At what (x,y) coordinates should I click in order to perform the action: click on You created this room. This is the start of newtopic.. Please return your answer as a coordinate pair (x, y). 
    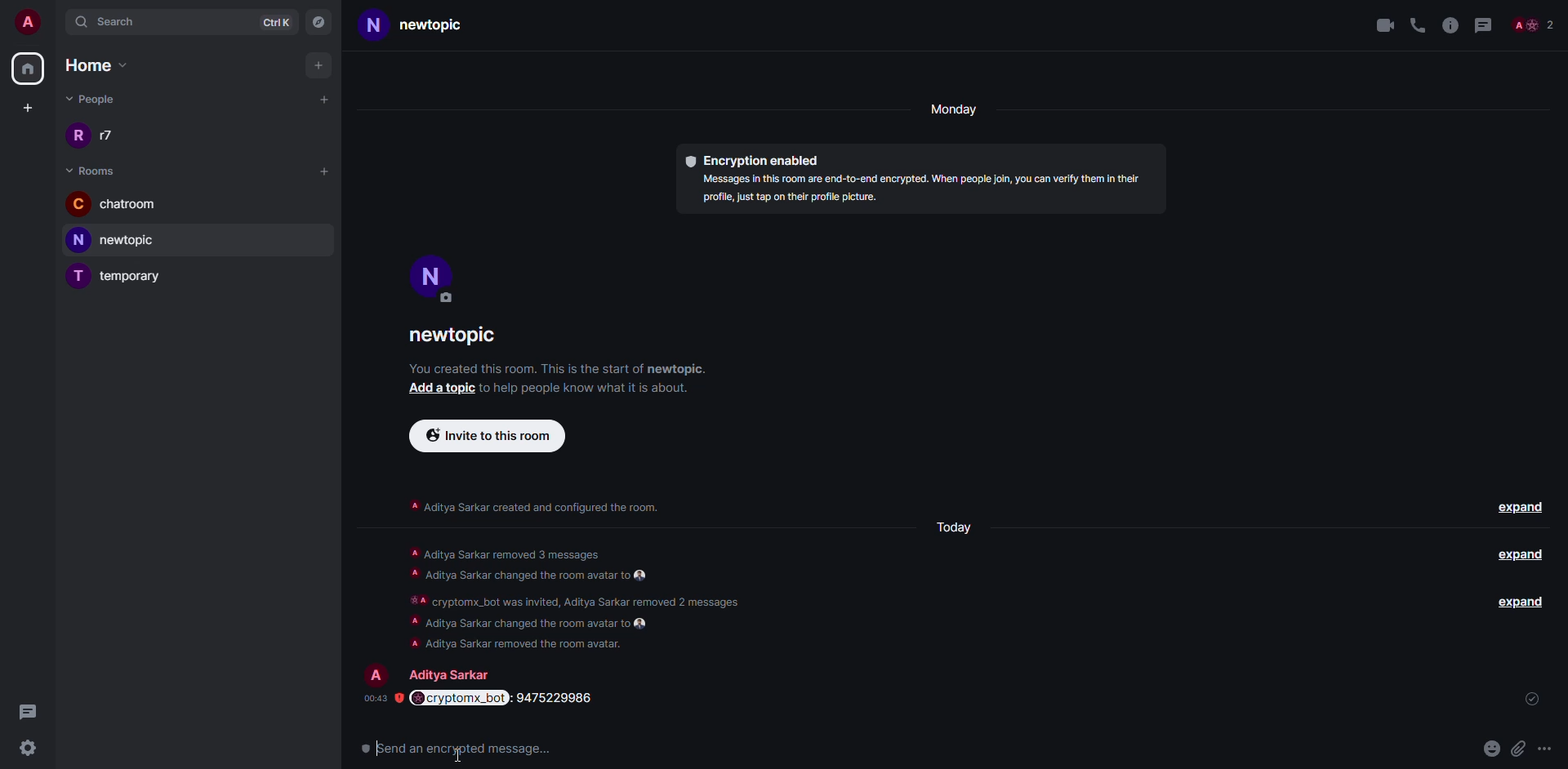
    Looking at the image, I should click on (578, 368).